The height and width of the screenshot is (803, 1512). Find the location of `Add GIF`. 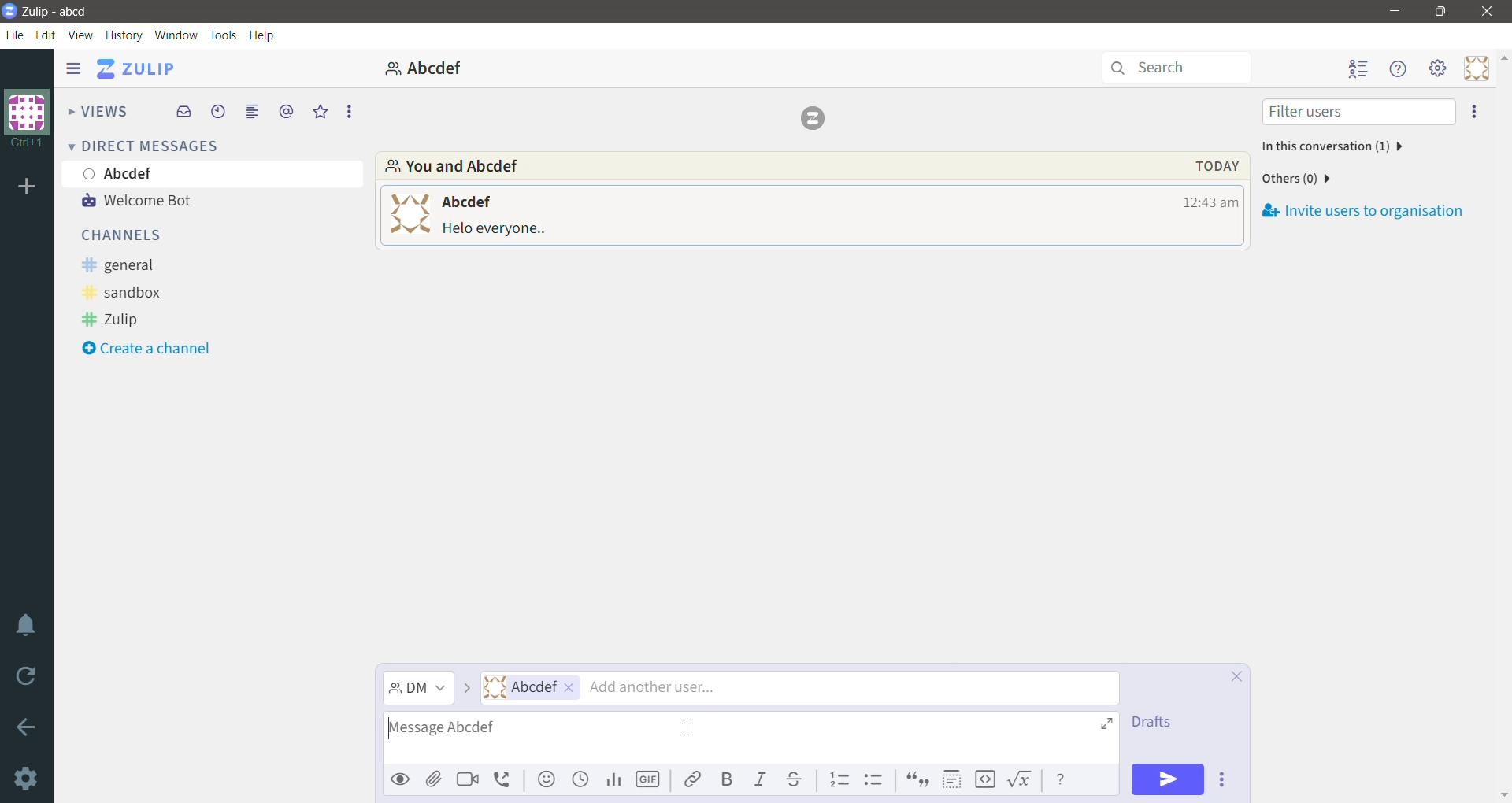

Add GIF is located at coordinates (649, 779).